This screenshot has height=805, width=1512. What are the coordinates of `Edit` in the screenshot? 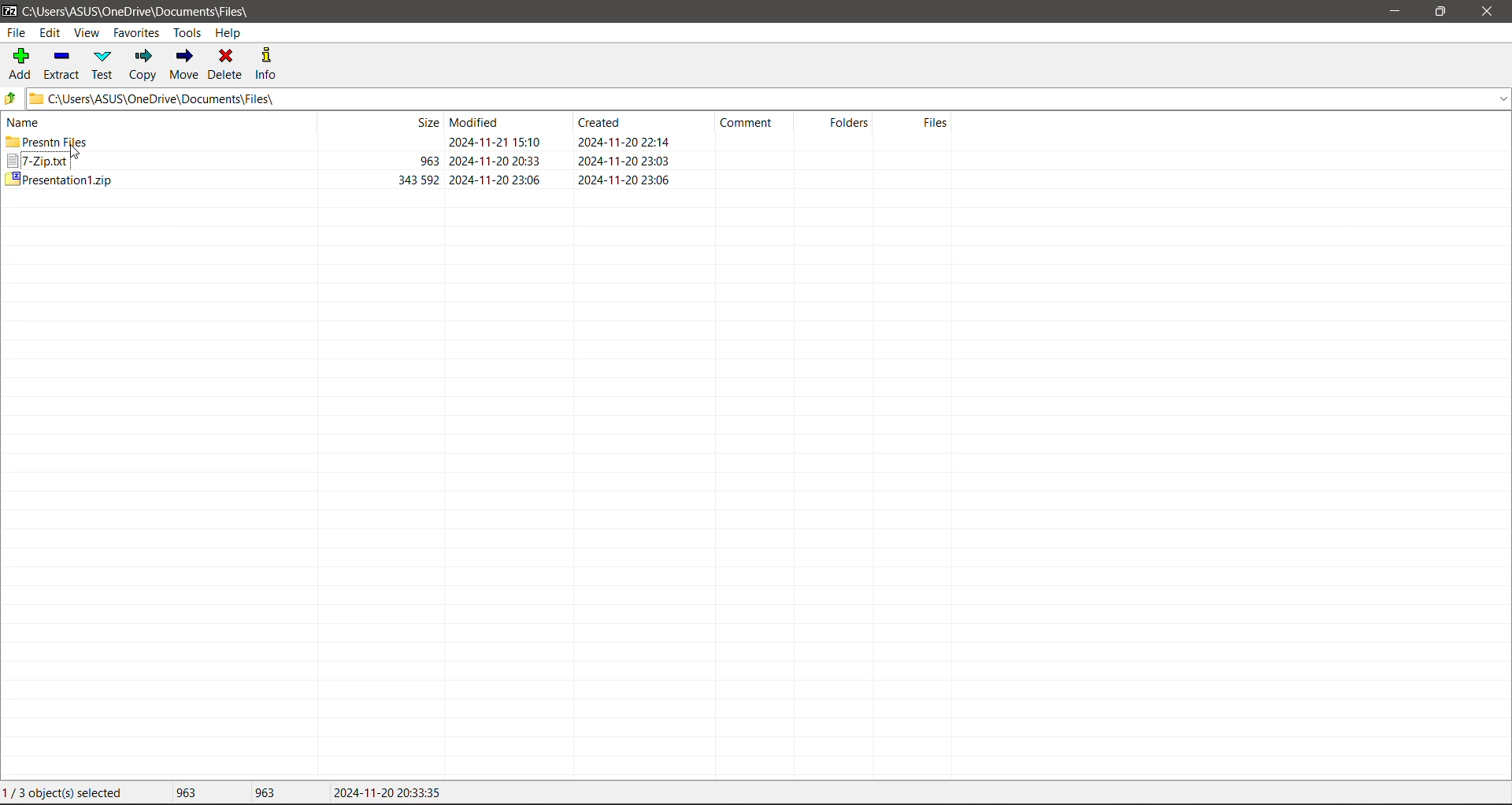 It's located at (53, 33).